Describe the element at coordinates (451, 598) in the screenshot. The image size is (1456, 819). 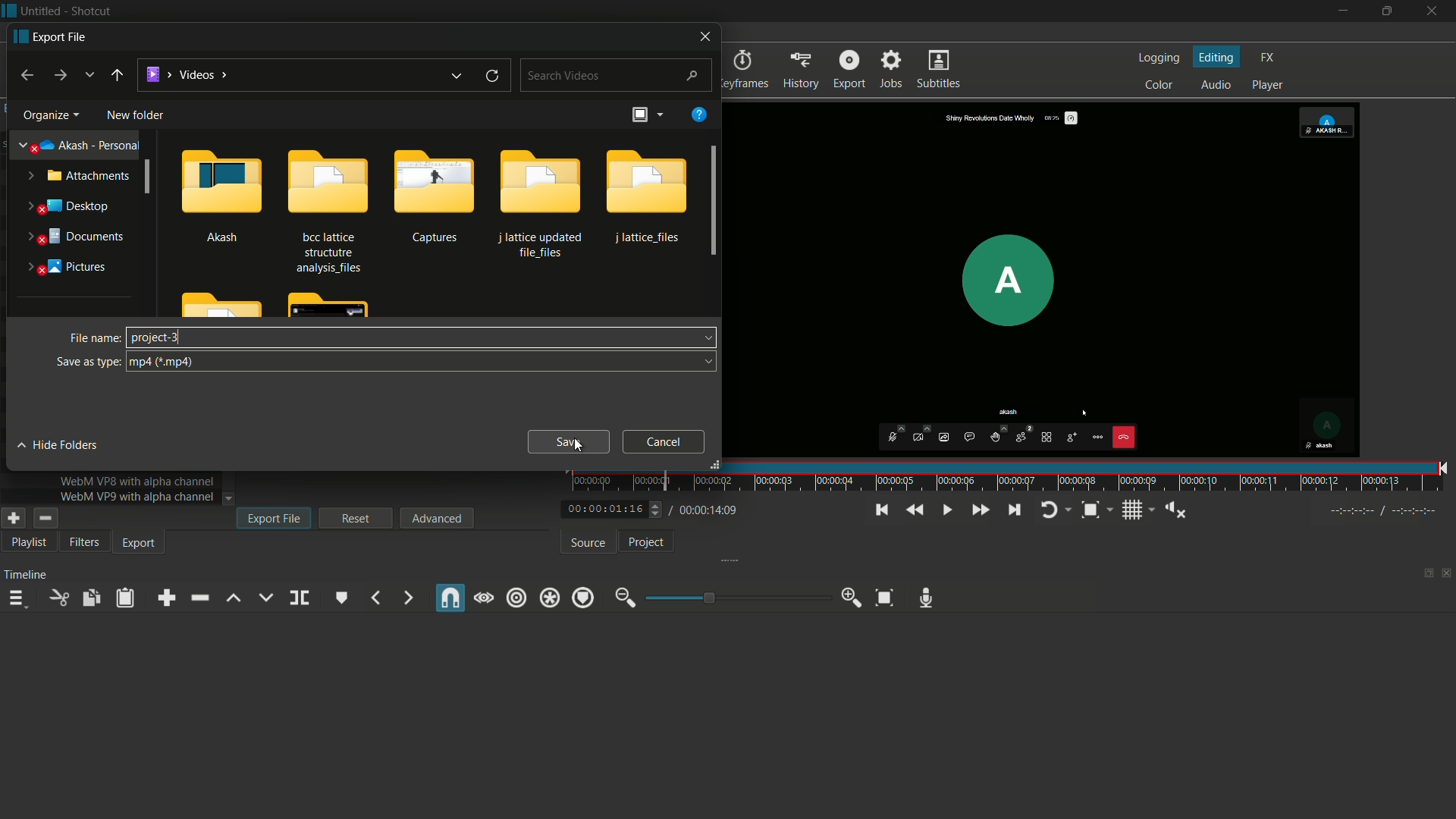
I see `snap` at that location.